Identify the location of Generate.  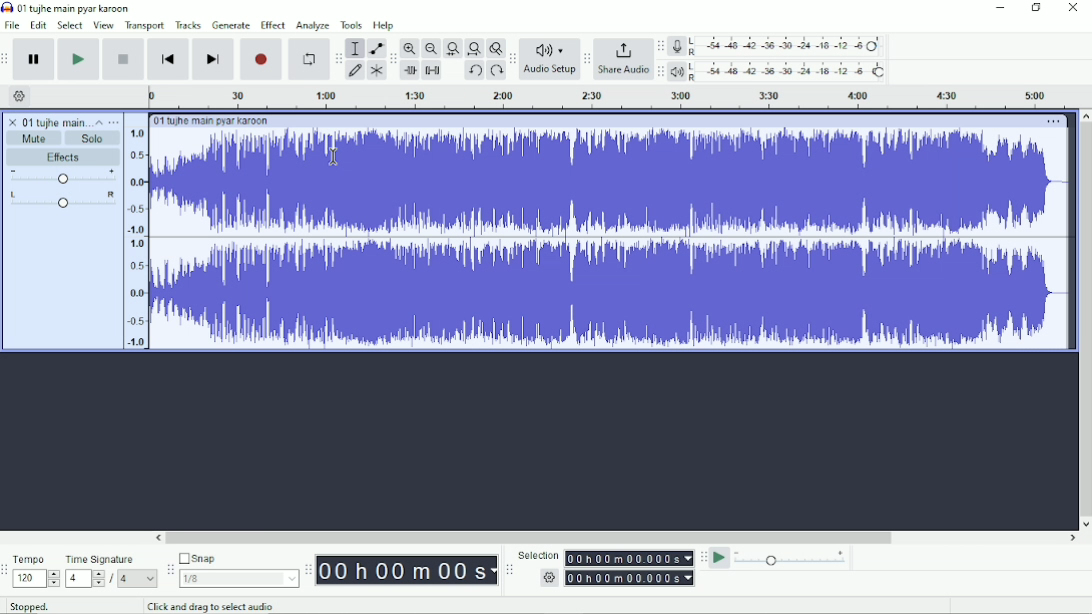
(231, 25).